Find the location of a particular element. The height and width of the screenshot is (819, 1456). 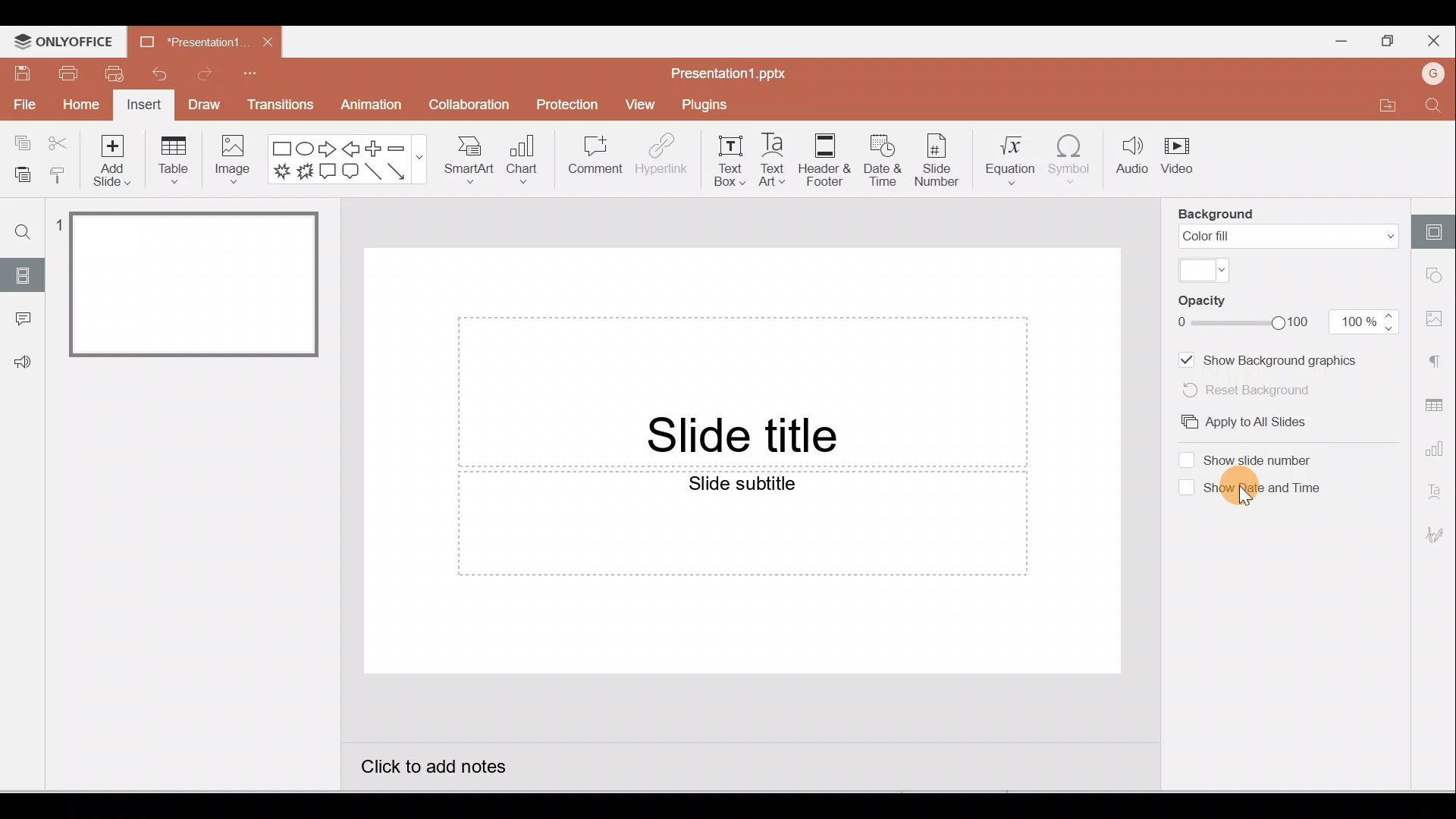

Table settings is located at coordinates (1435, 404).